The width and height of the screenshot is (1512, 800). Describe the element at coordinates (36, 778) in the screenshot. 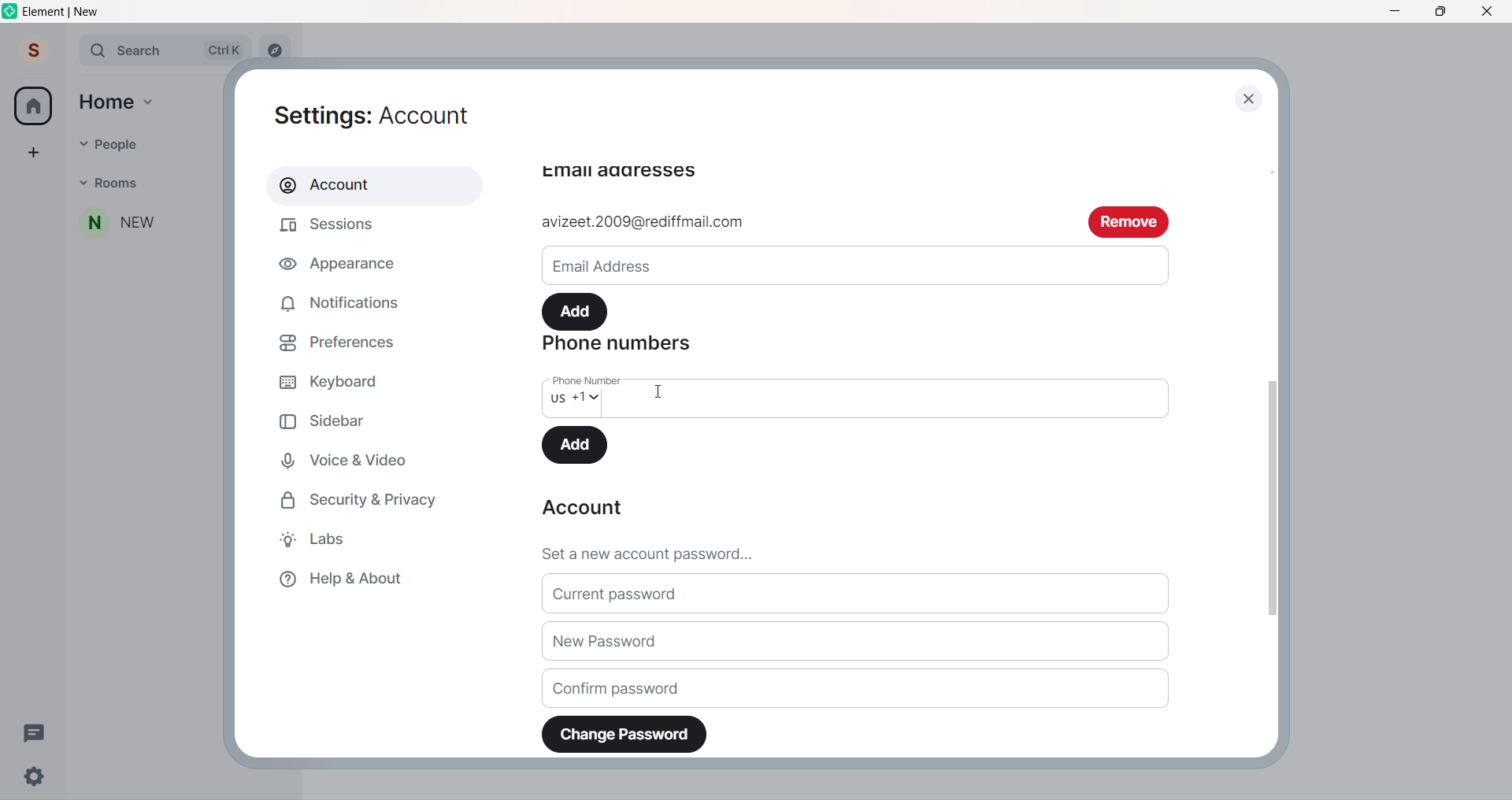

I see `Quick Setting` at that location.